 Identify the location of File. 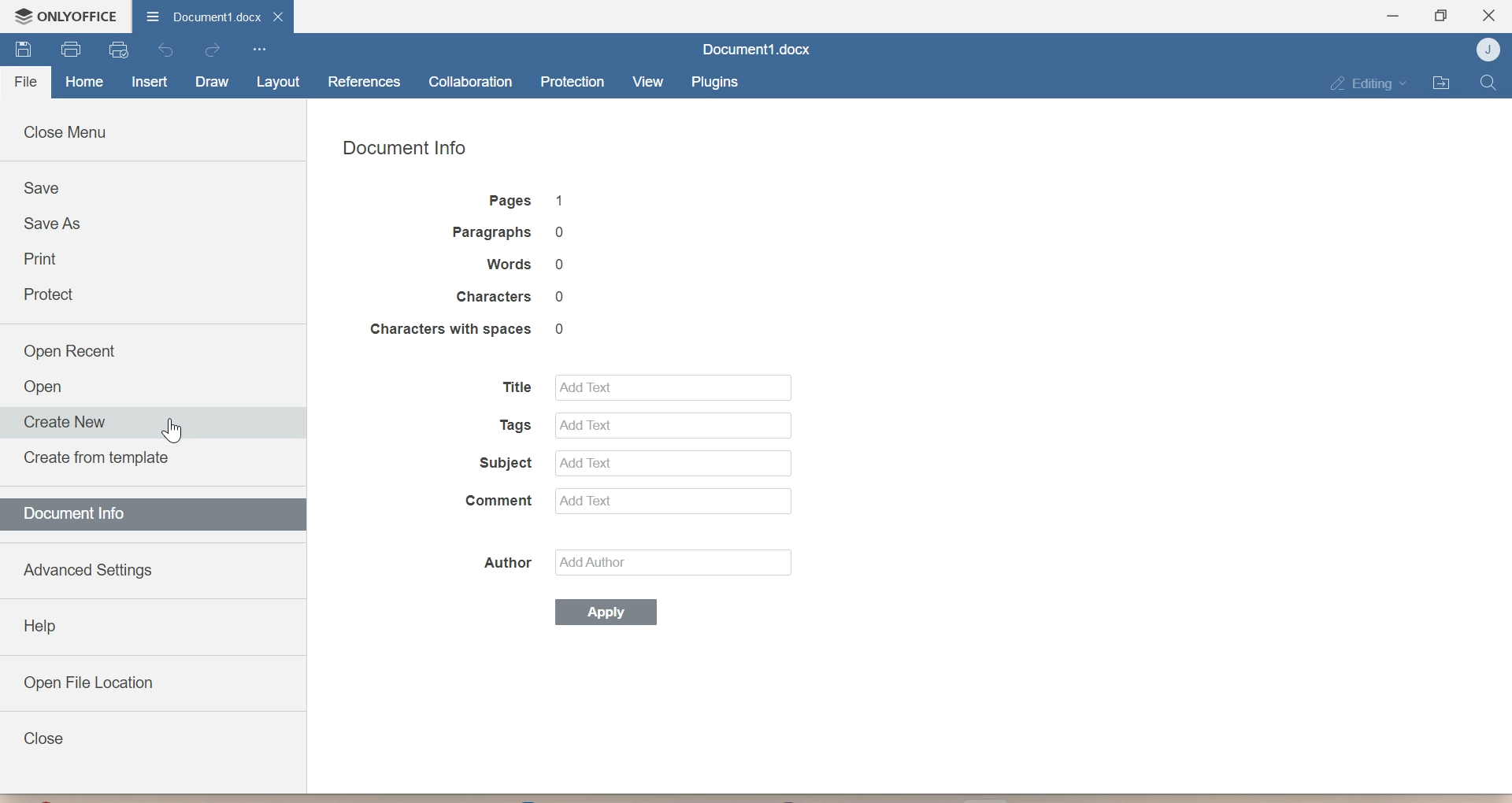
(28, 78).